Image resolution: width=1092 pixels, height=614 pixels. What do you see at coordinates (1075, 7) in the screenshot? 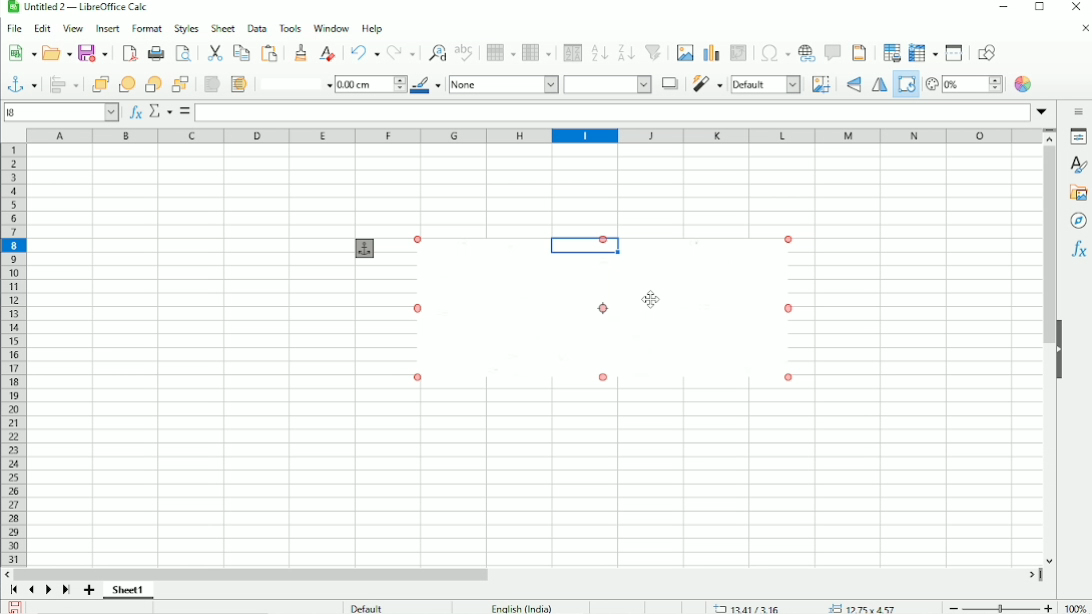
I see `Close` at bounding box center [1075, 7].